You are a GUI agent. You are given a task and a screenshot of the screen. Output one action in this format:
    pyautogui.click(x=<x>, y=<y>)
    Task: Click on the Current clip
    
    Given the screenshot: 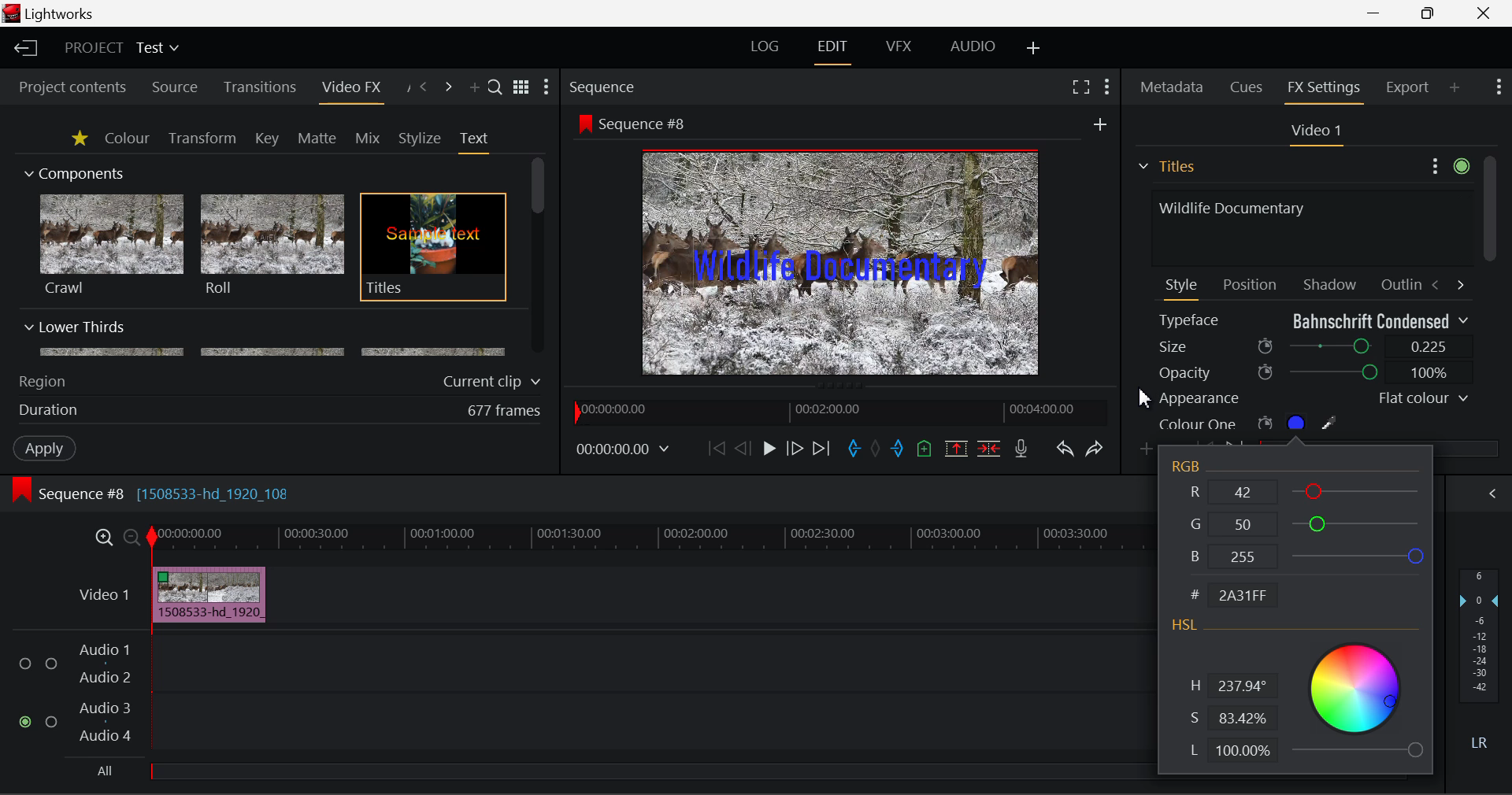 What is the action you would take?
    pyautogui.click(x=495, y=382)
    